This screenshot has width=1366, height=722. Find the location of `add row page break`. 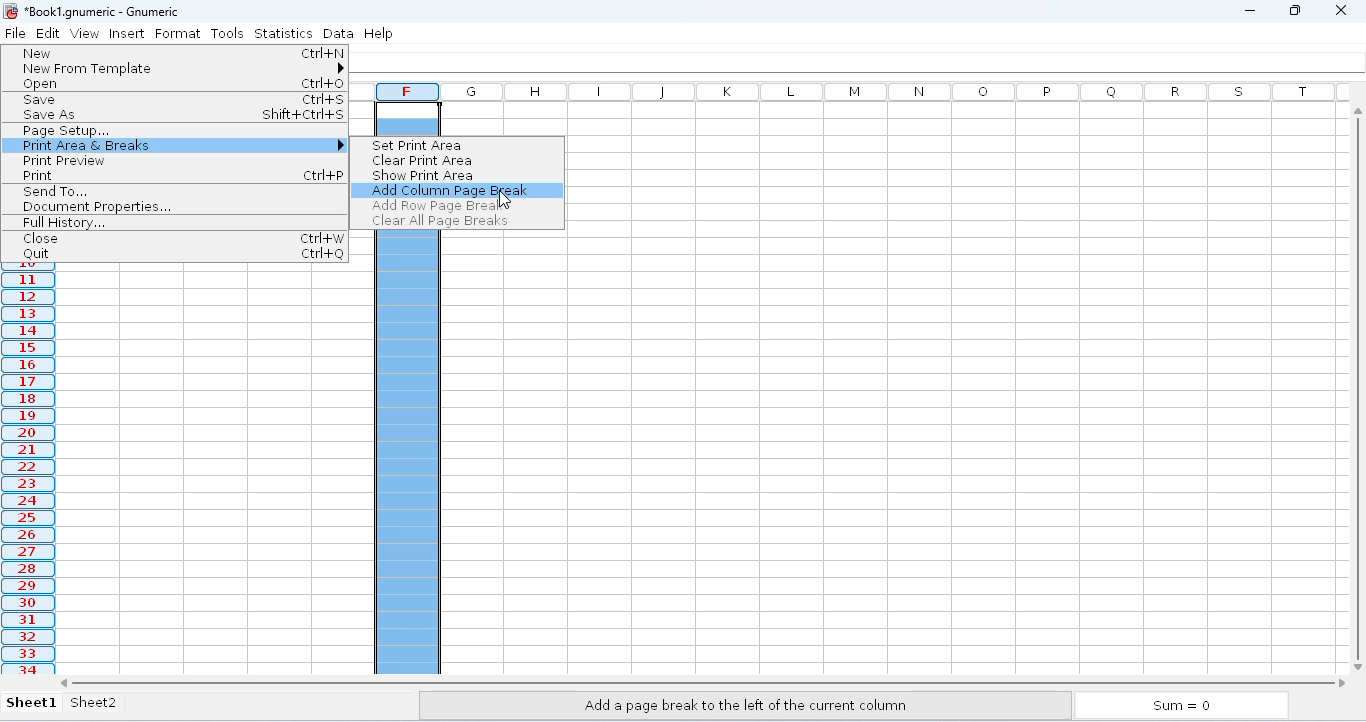

add row page break is located at coordinates (435, 205).